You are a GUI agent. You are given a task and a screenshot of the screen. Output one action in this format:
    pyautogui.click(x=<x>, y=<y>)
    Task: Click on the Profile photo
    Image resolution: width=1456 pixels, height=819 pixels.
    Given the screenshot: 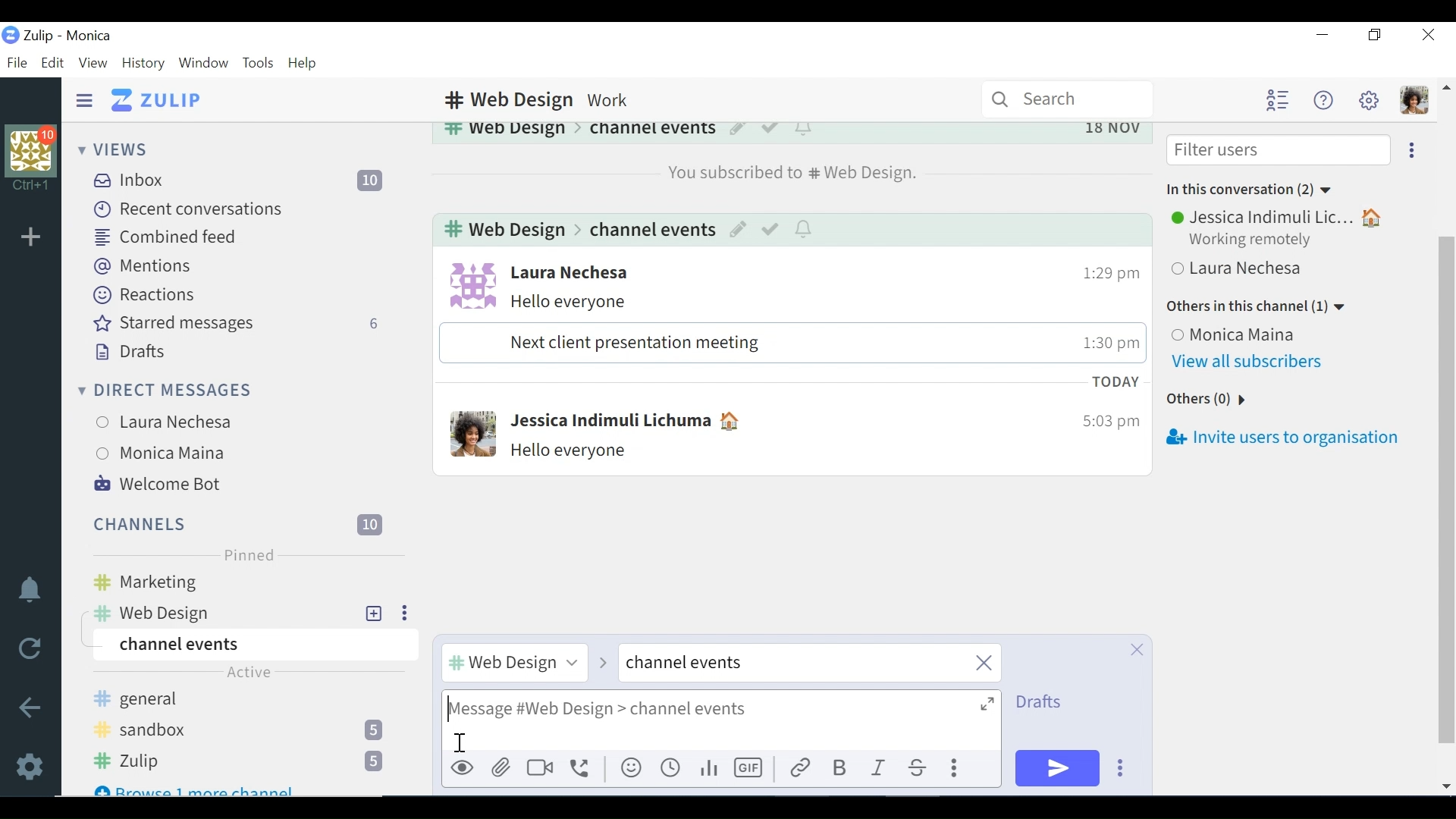 What is the action you would take?
    pyautogui.click(x=471, y=433)
    